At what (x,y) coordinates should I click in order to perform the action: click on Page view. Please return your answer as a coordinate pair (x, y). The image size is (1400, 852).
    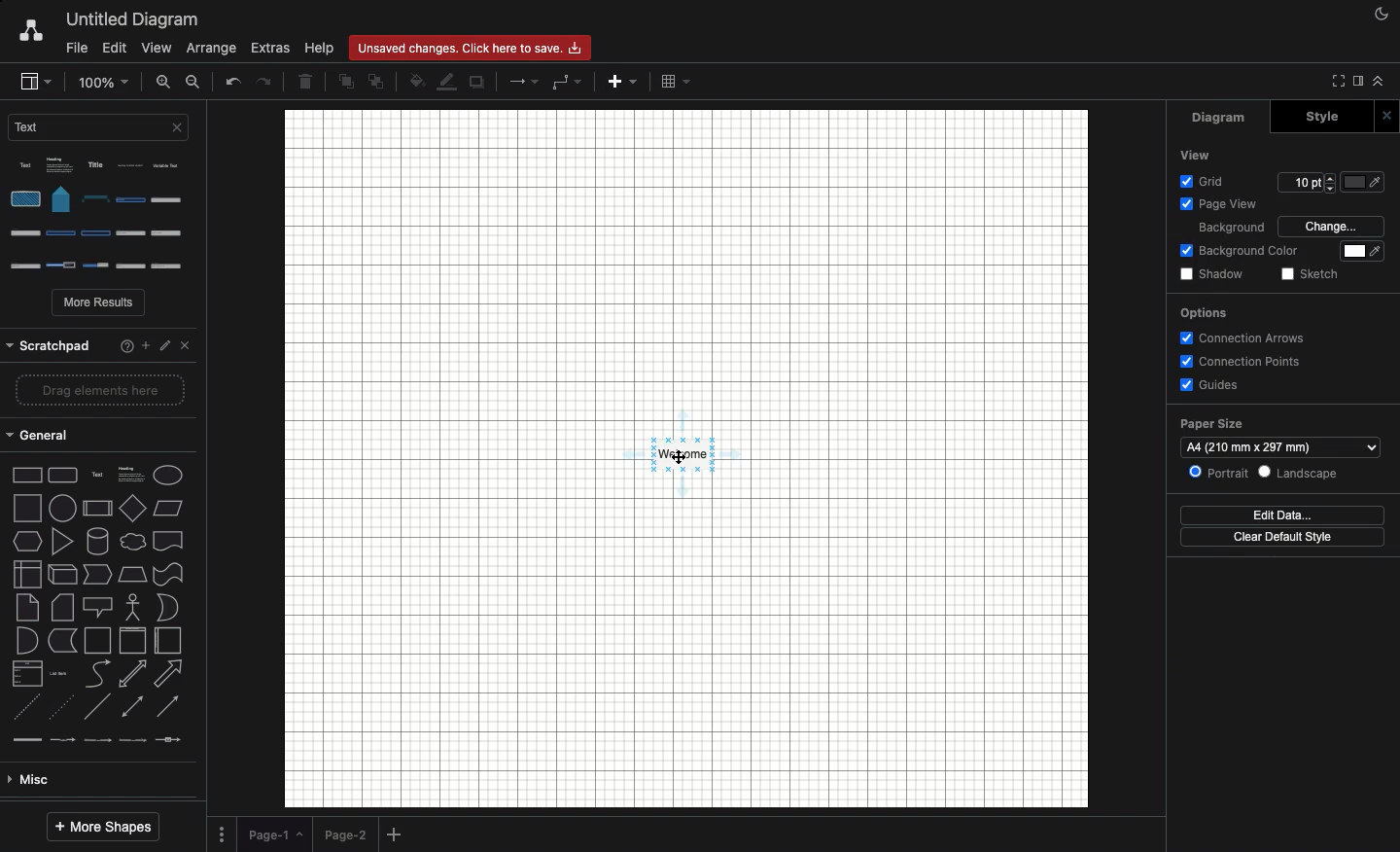
    Looking at the image, I should click on (1269, 204).